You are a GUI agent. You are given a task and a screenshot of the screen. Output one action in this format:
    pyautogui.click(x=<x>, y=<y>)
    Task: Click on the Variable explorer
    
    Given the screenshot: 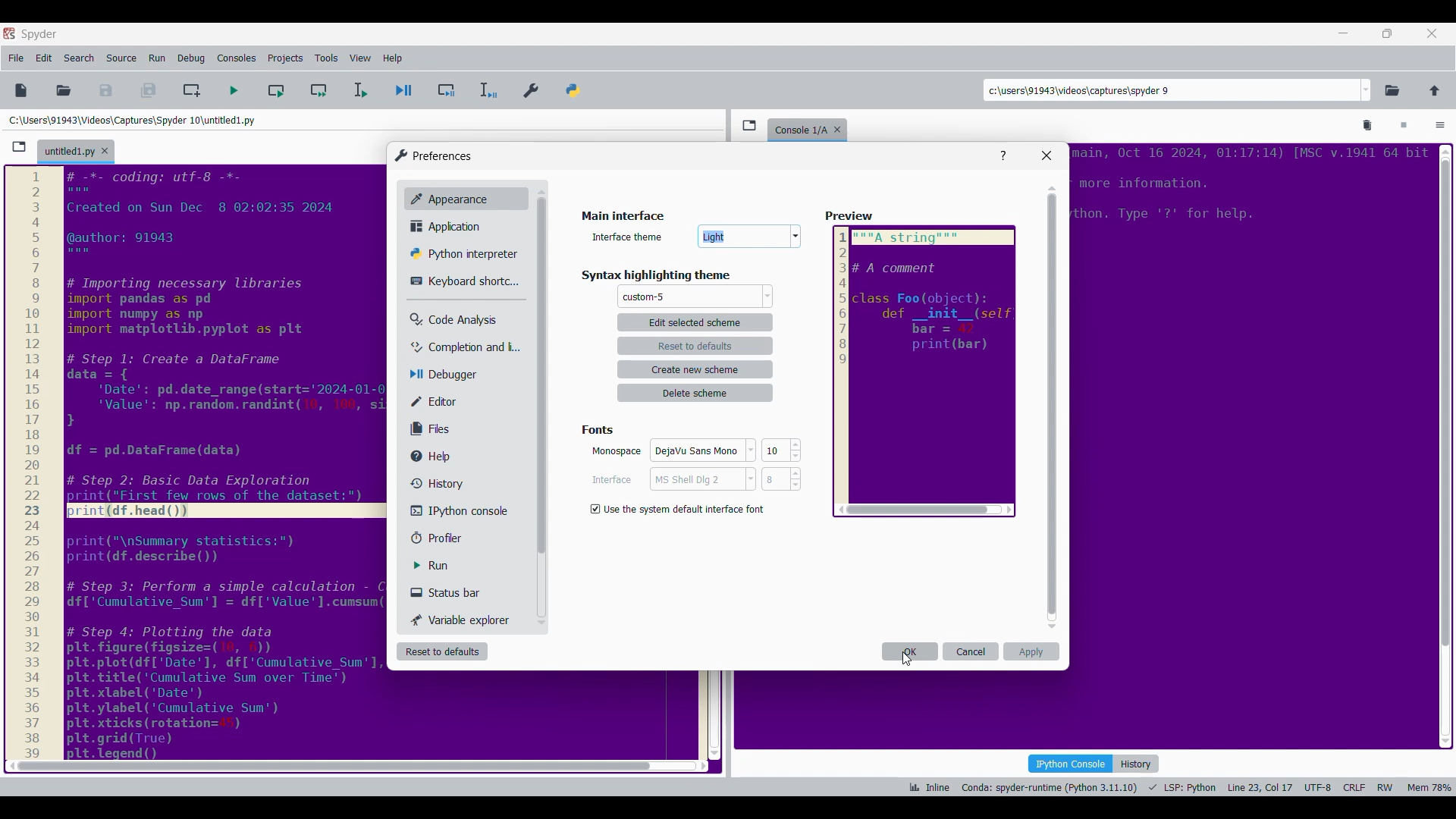 What is the action you would take?
    pyautogui.click(x=462, y=620)
    